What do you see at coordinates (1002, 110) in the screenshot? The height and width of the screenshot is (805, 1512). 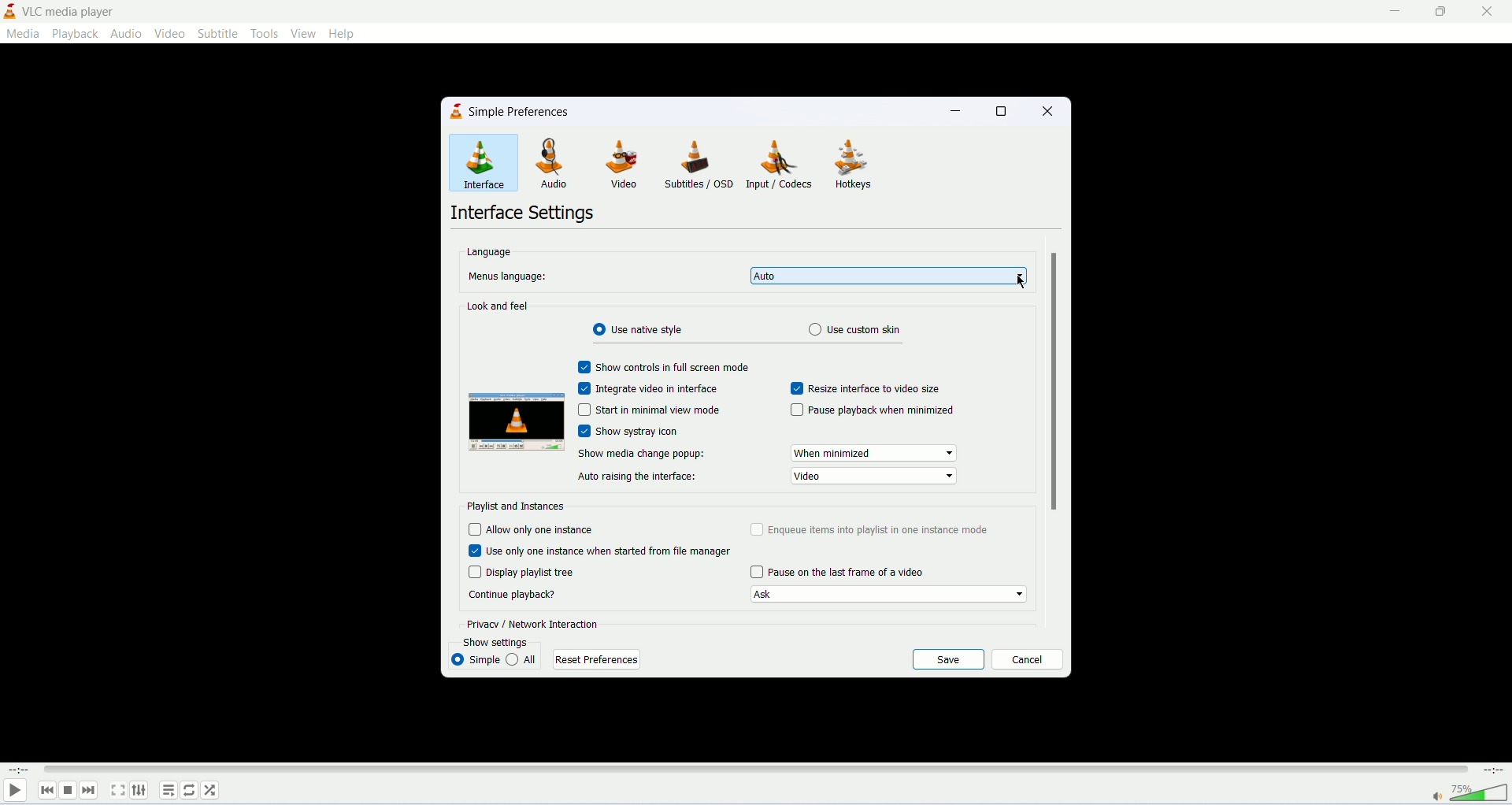 I see `maximize` at bounding box center [1002, 110].